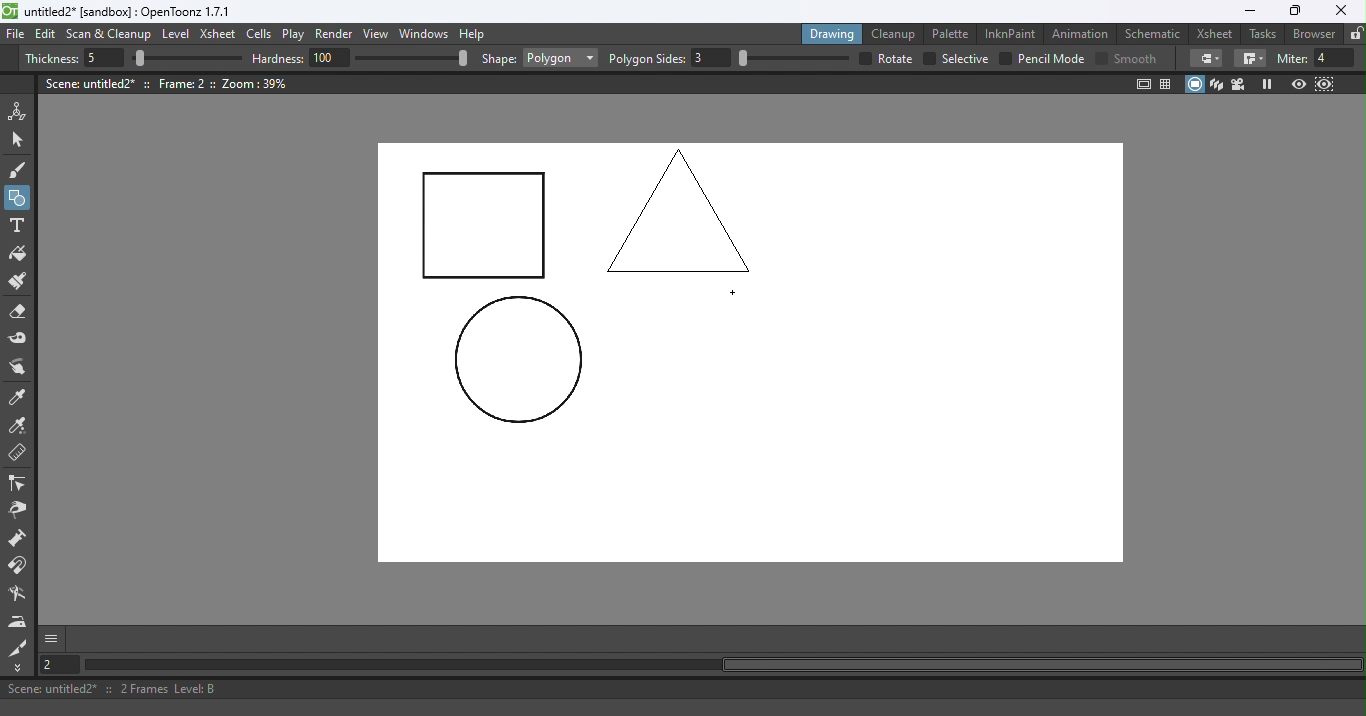 This screenshot has height=716, width=1366. Describe the element at coordinates (897, 33) in the screenshot. I see `Cleanup` at that location.